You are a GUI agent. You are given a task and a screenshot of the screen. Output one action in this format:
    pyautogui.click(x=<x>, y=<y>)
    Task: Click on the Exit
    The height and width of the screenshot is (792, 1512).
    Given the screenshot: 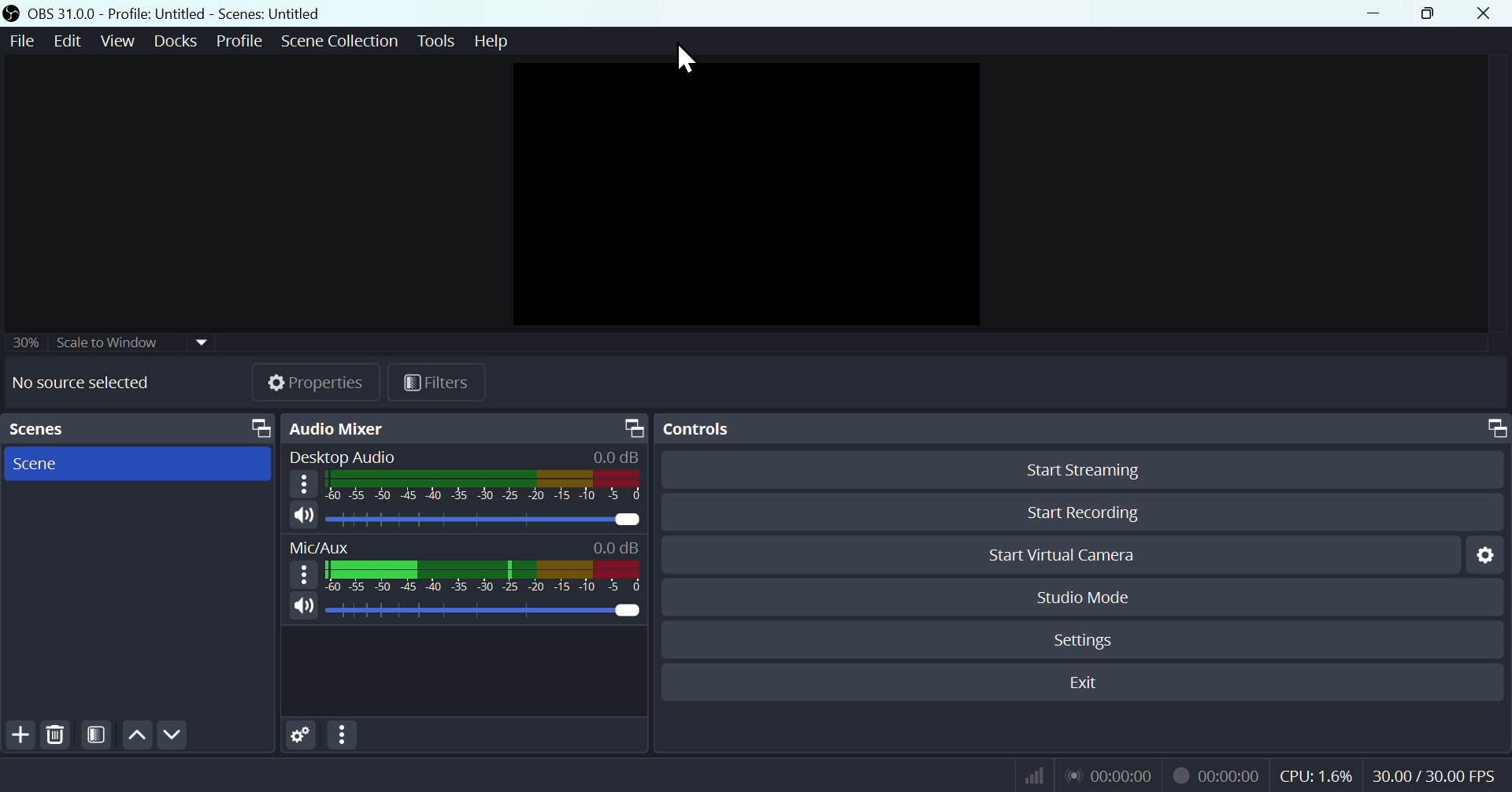 What is the action you would take?
    pyautogui.click(x=1080, y=682)
    